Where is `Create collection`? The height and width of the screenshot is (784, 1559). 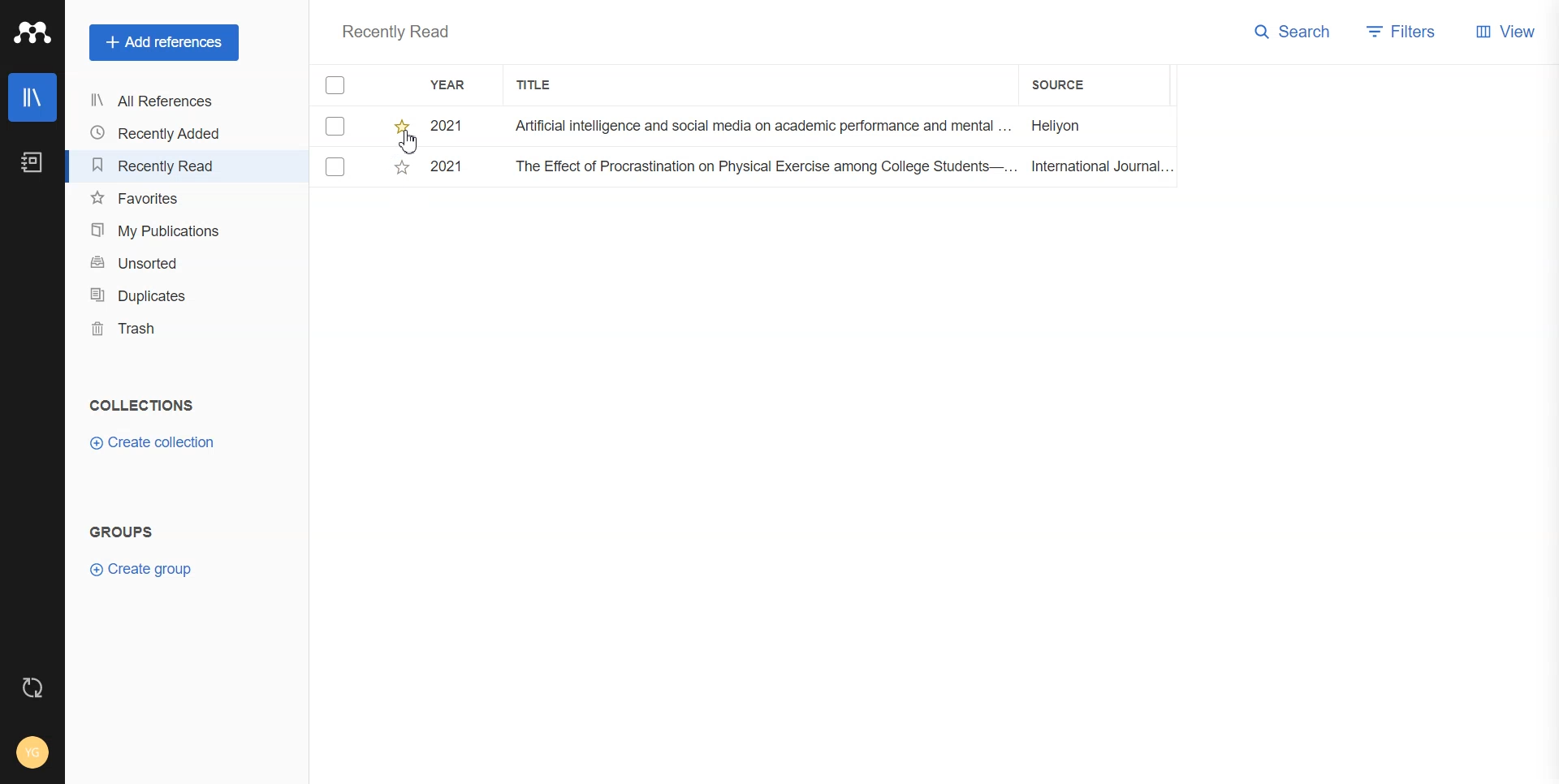
Create collection is located at coordinates (153, 443).